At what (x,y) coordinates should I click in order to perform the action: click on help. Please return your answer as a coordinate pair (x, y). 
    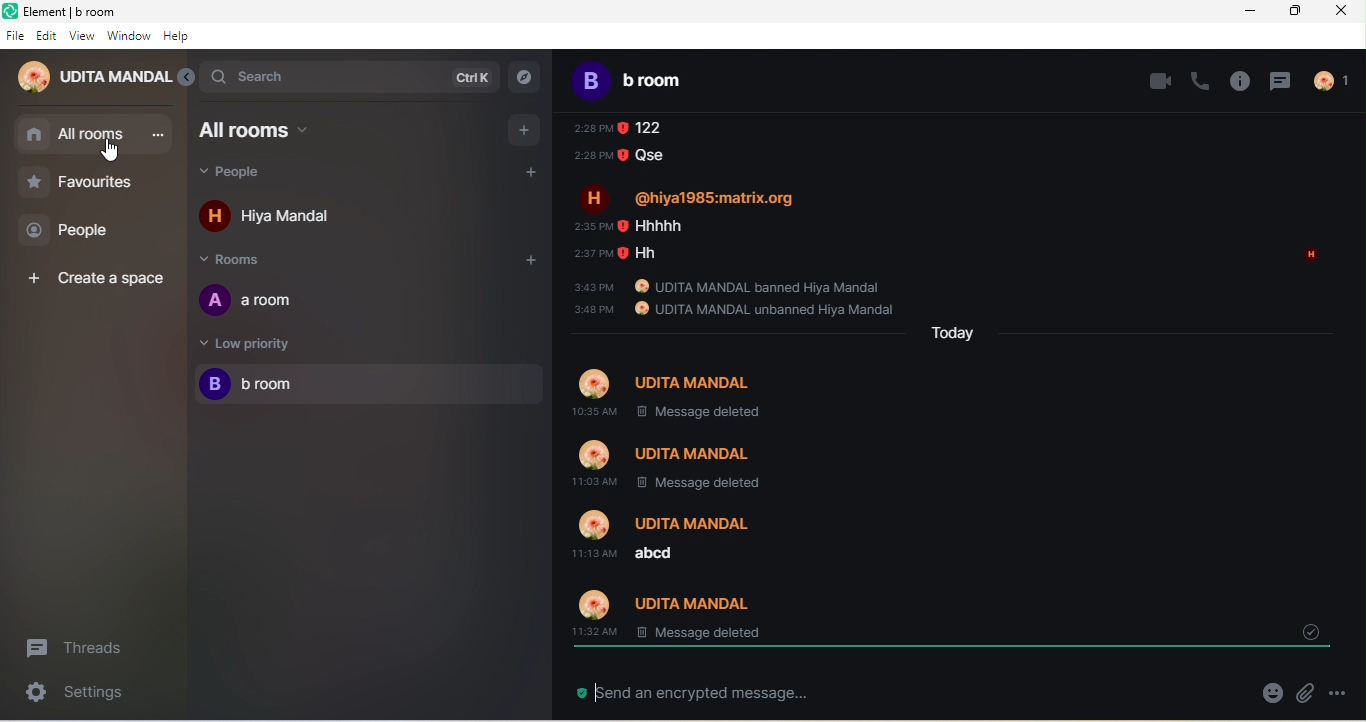
    Looking at the image, I should click on (184, 39).